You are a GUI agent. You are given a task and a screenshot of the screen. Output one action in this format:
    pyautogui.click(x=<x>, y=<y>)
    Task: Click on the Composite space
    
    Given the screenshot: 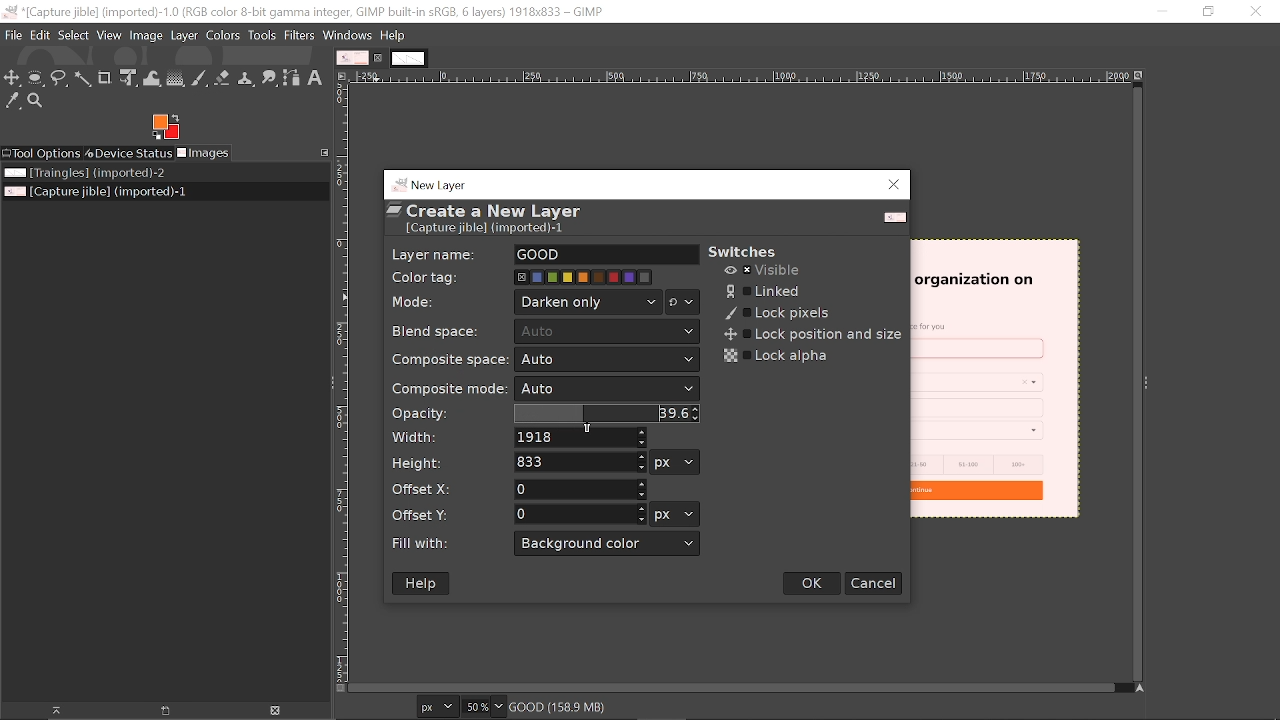 What is the action you would take?
    pyautogui.click(x=606, y=361)
    